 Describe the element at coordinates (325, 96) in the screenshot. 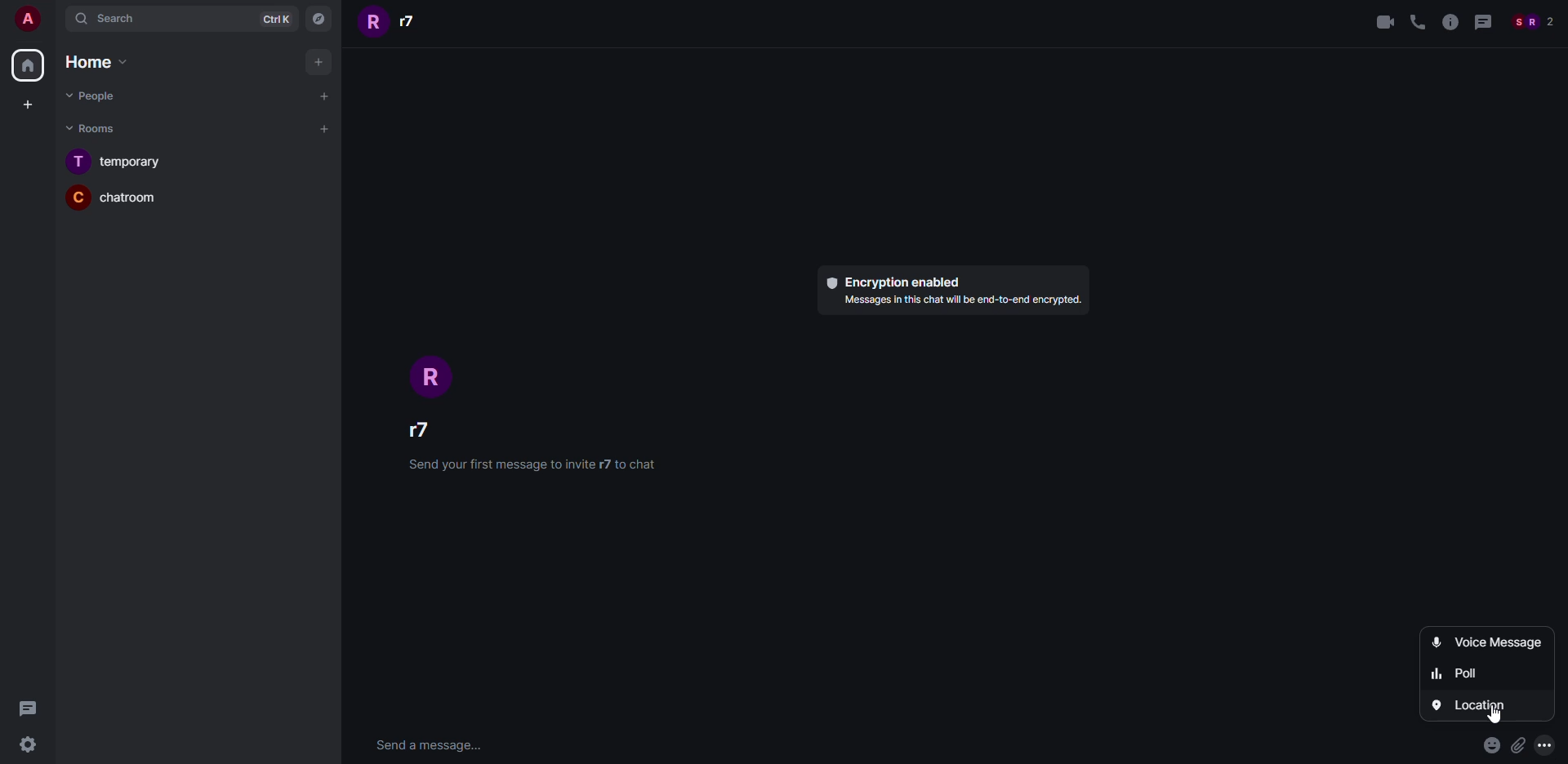

I see `New Chat` at that location.